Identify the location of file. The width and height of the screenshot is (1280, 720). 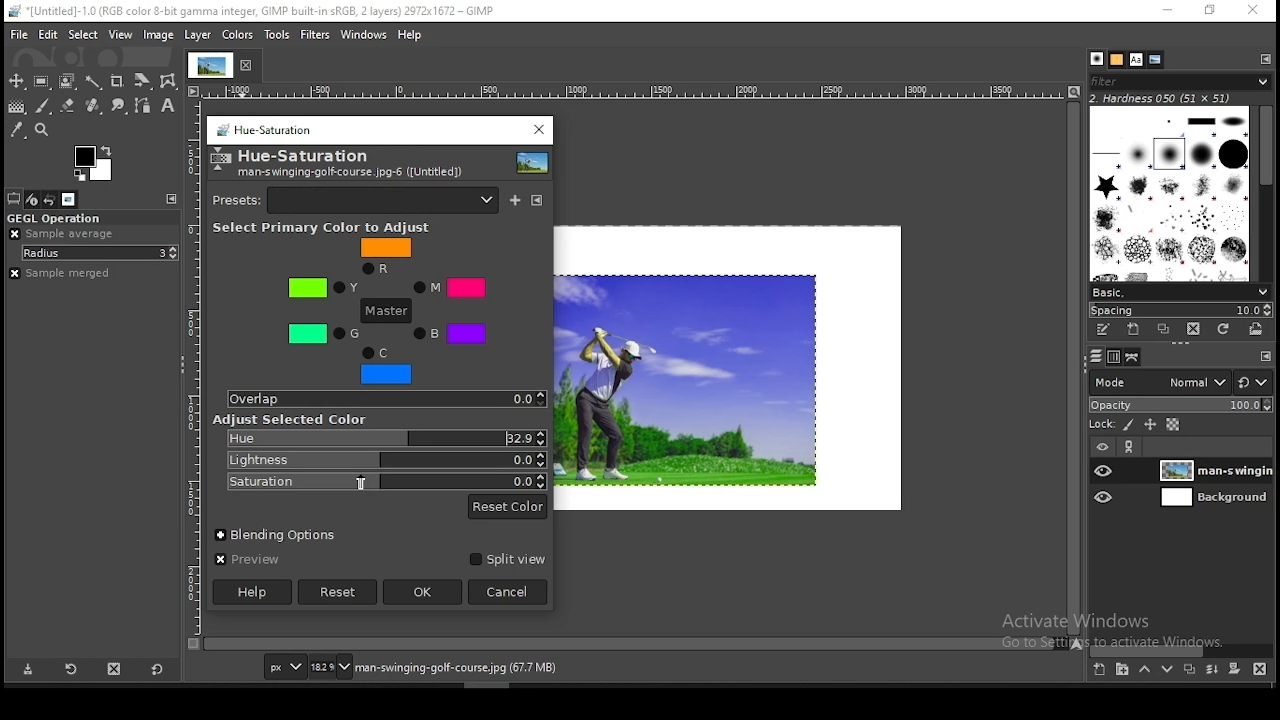
(20, 33).